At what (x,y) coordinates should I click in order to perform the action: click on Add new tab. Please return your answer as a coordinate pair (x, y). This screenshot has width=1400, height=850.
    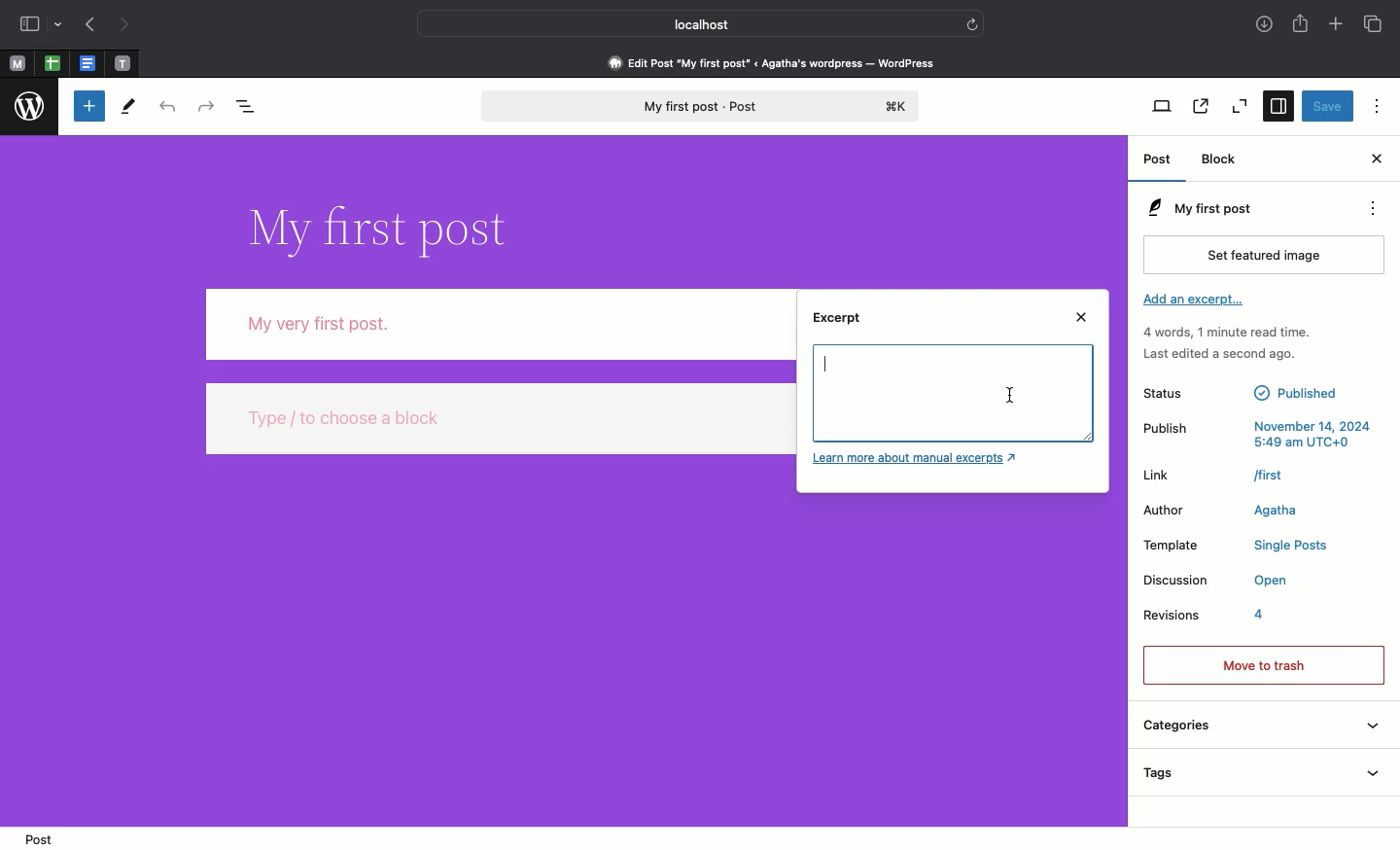
    Looking at the image, I should click on (1335, 25).